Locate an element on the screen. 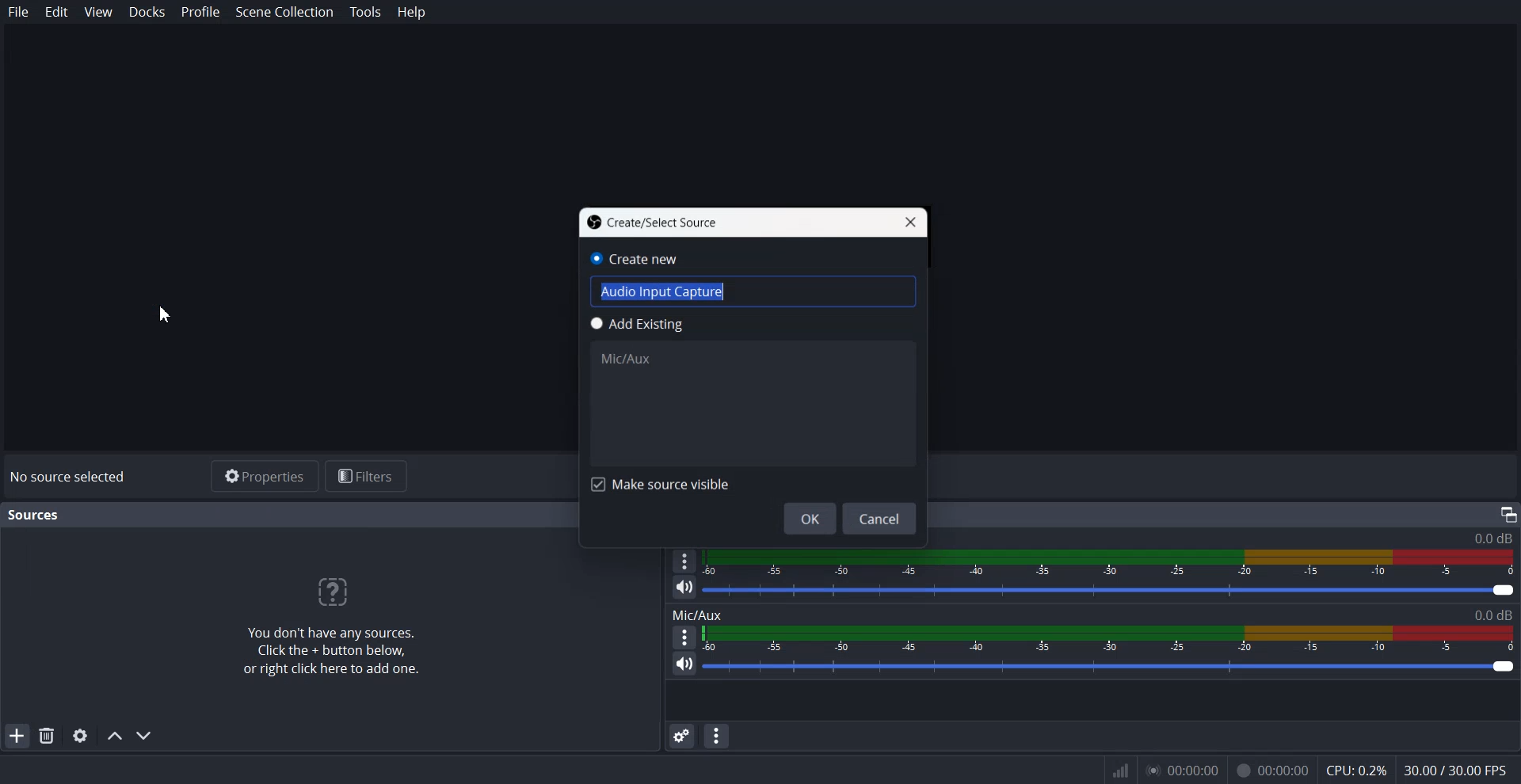 Image resolution: width=1521 pixels, height=784 pixels. Cancel is located at coordinates (880, 519).